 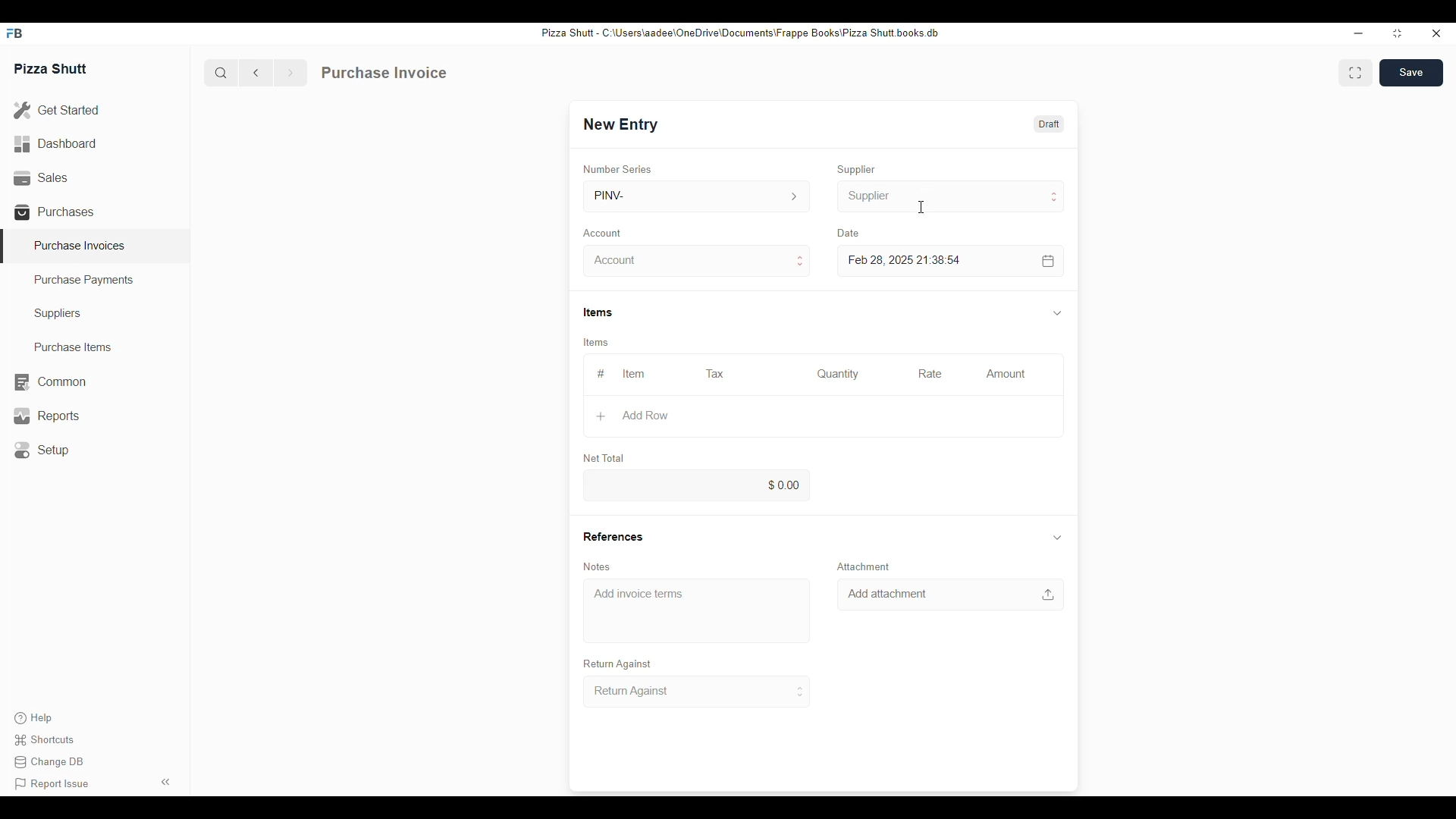 What do you see at coordinates (859, 170) in the screenshot?
I see `Supplier` at bounding box center [859, 170].